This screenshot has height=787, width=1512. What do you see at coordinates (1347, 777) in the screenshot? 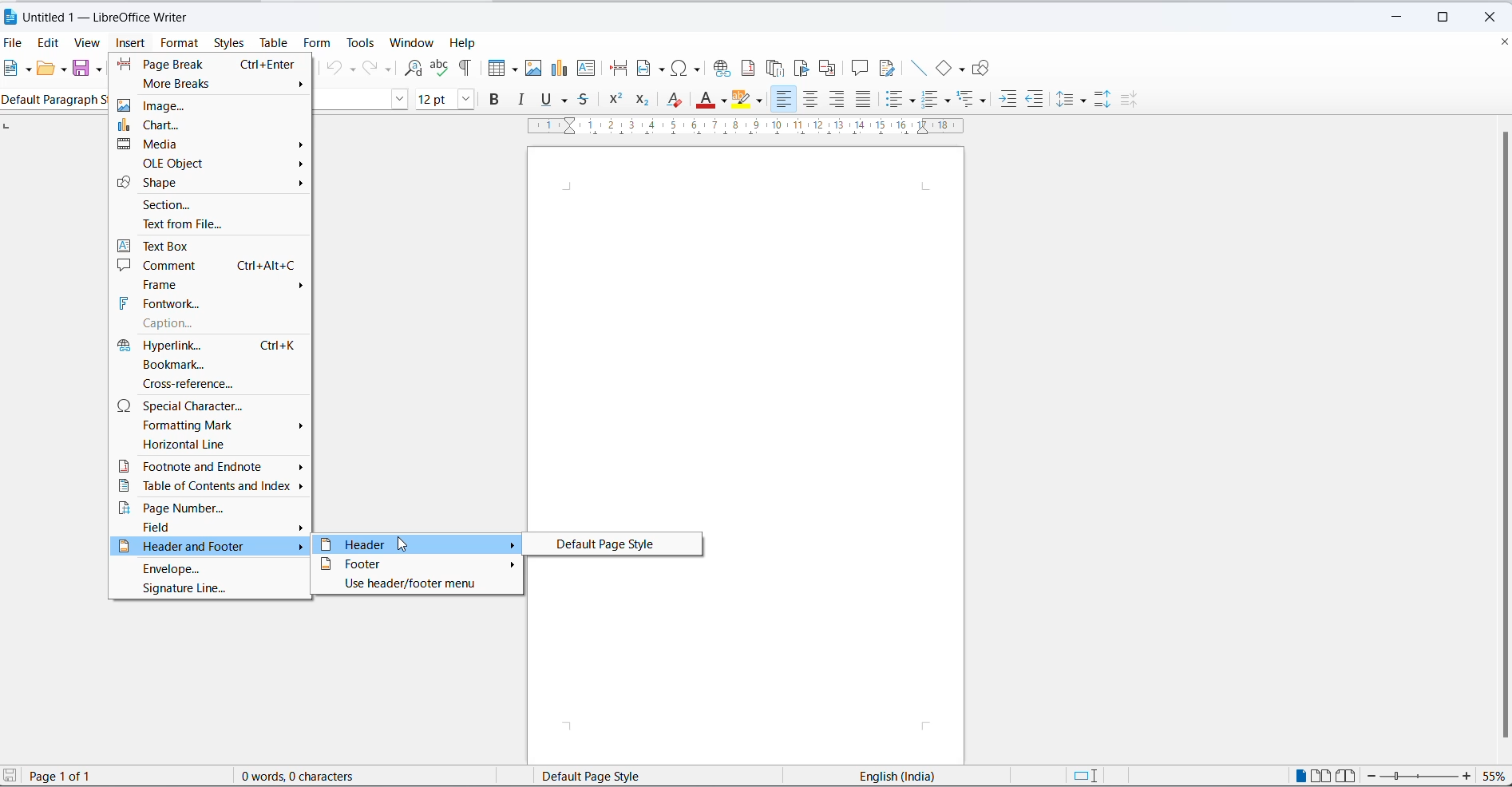
I see `book view` at bounding box center [1347, 777].